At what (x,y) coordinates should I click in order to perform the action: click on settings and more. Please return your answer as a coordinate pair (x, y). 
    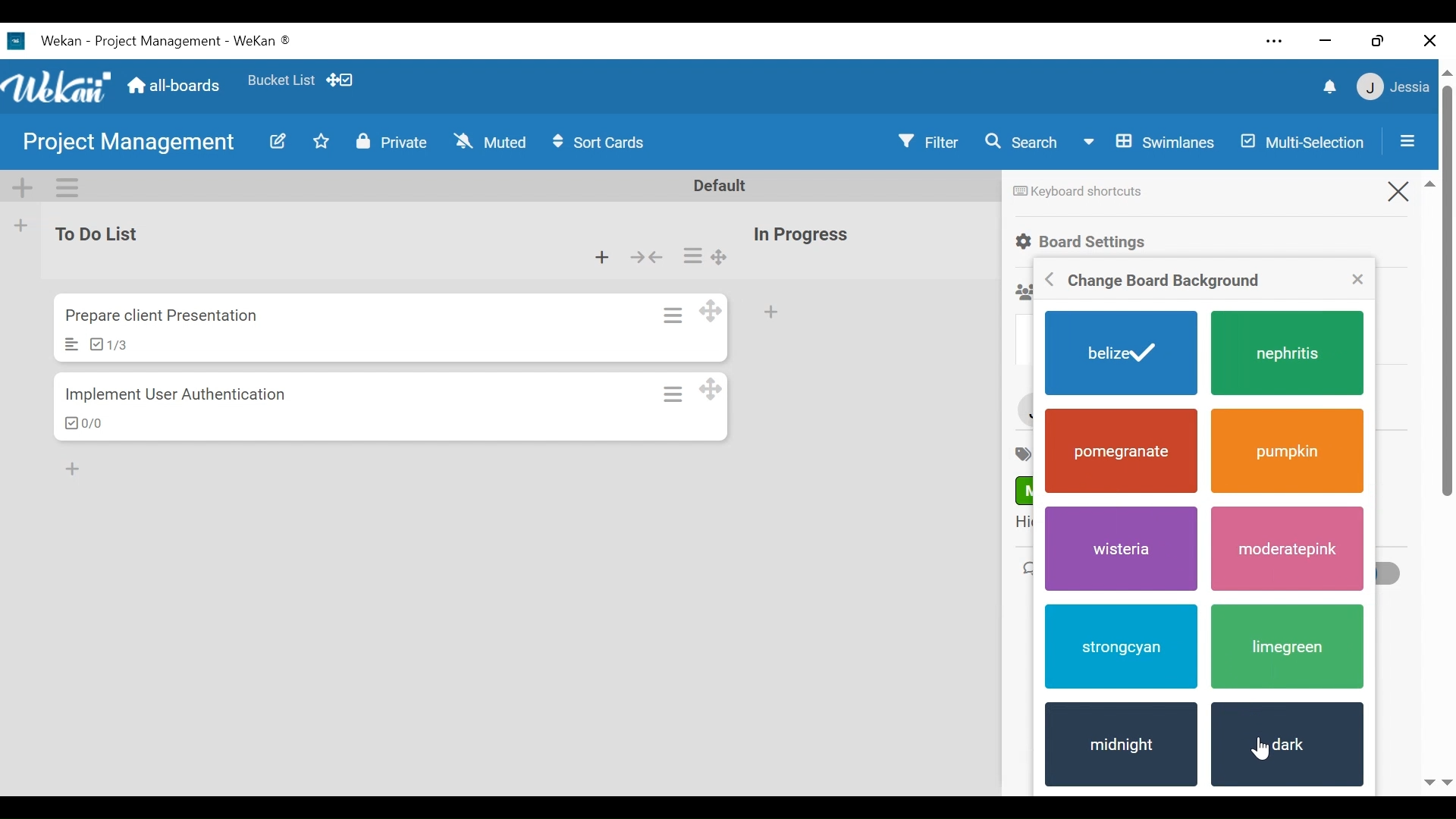
    Looking at the image, I should click on (1275, 42).